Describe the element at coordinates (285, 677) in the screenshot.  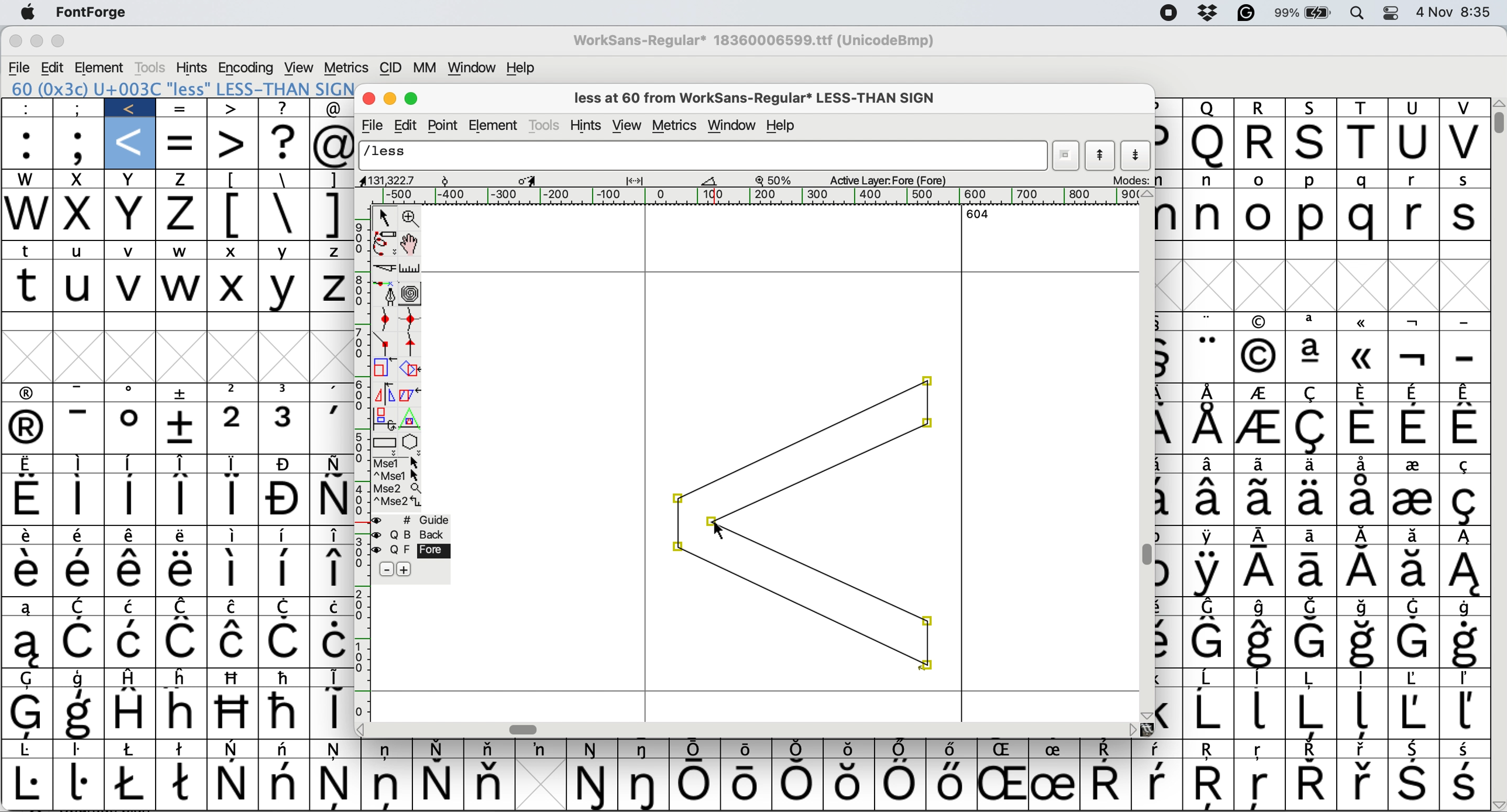
I see `Symbol` at that location.